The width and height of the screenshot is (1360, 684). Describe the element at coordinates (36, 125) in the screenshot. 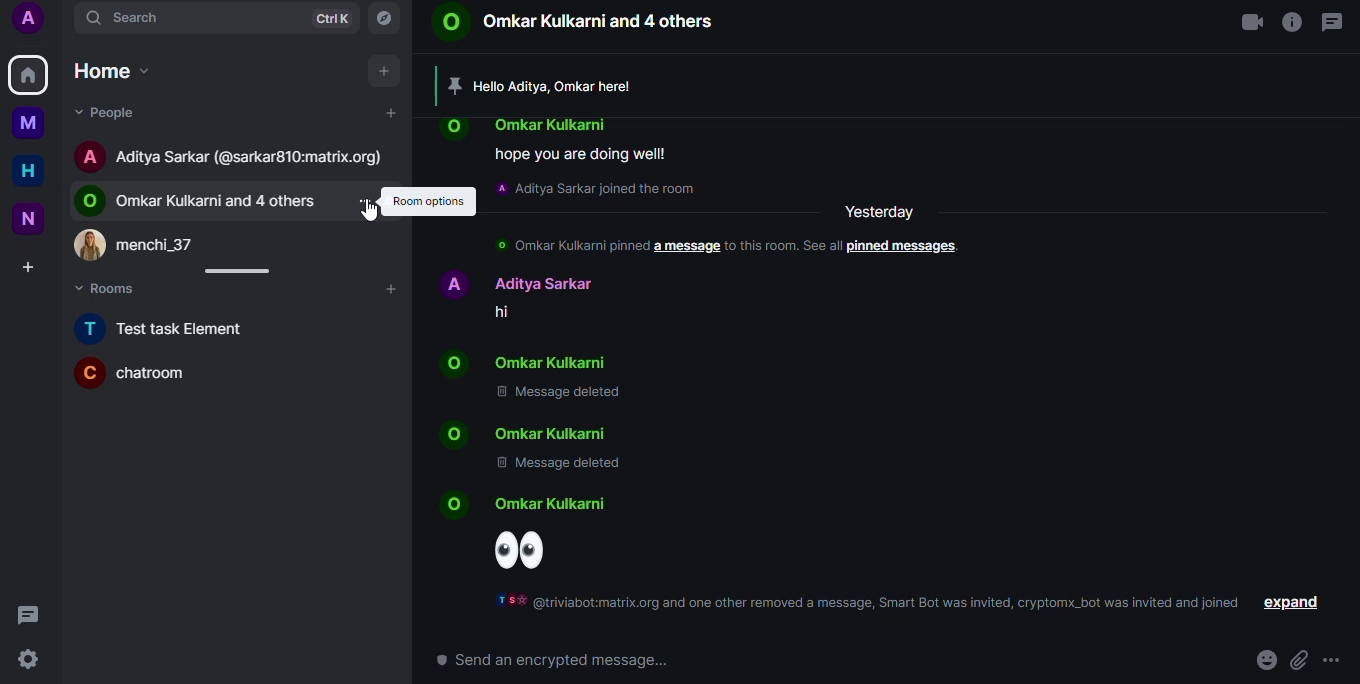

I see `` at that location.